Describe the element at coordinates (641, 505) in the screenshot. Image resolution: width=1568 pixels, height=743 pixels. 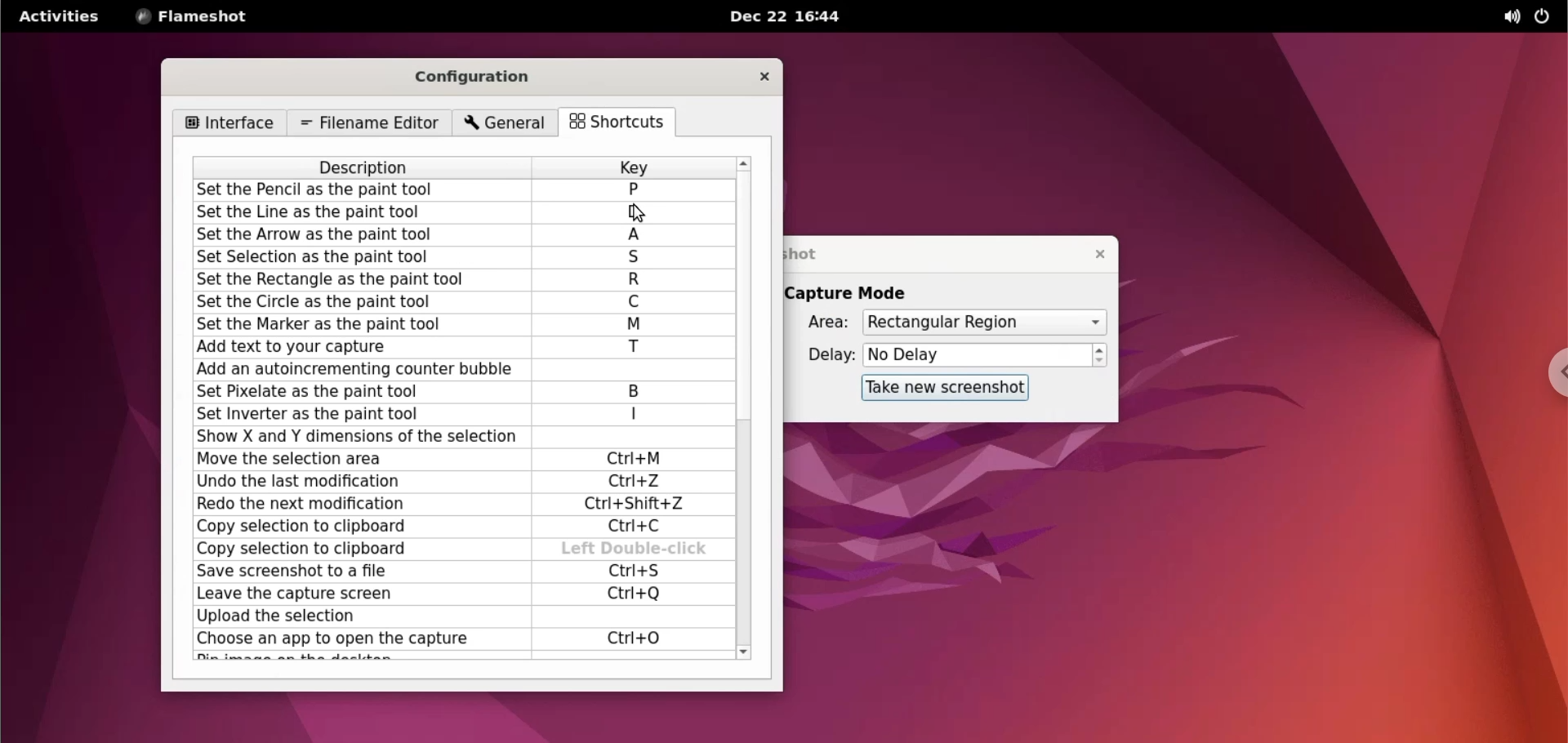
I see `Ctrl + Shift + Z` at that location.